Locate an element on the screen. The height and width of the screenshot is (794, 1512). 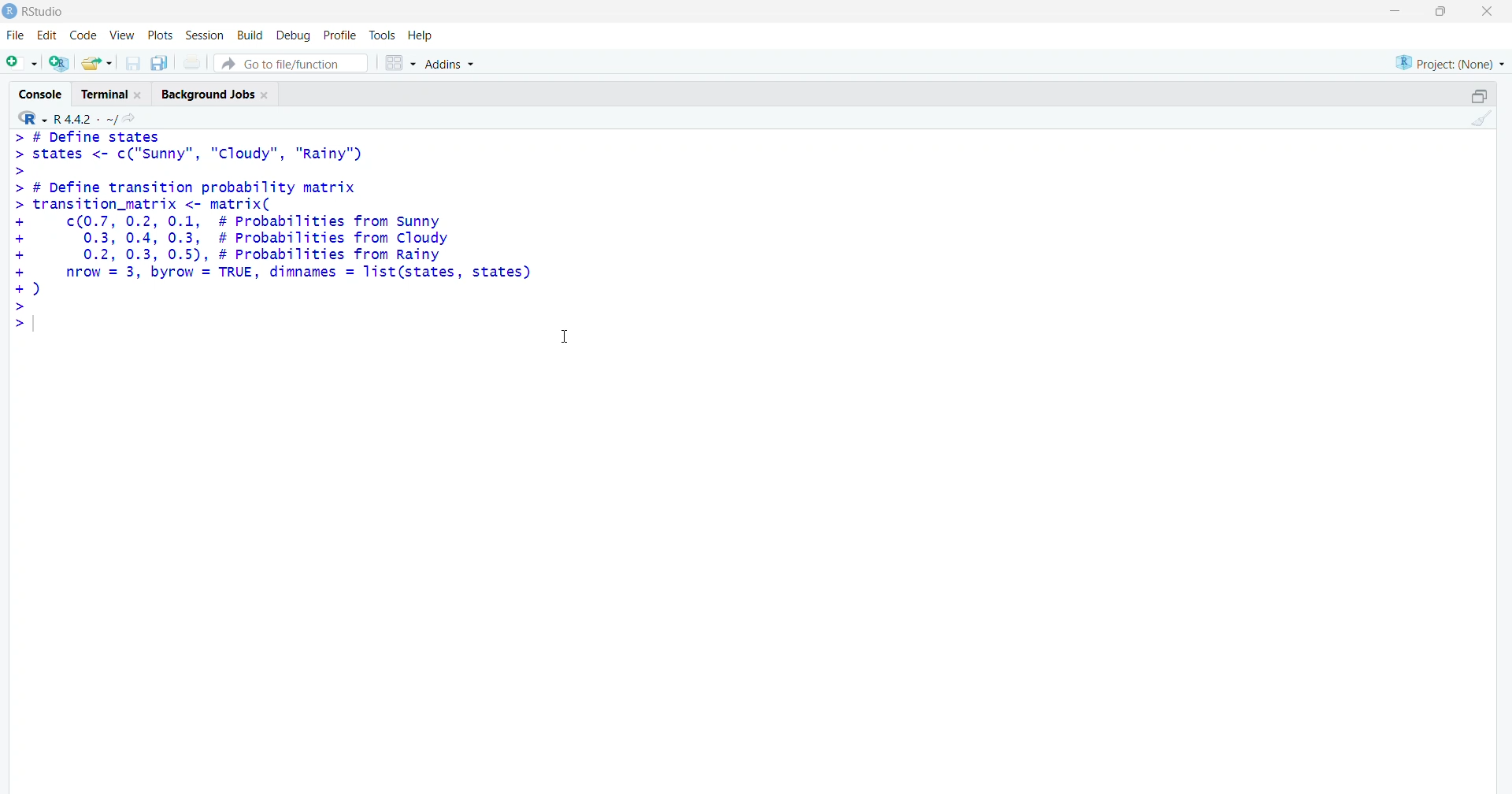
file is located at coordinates (13, 35).